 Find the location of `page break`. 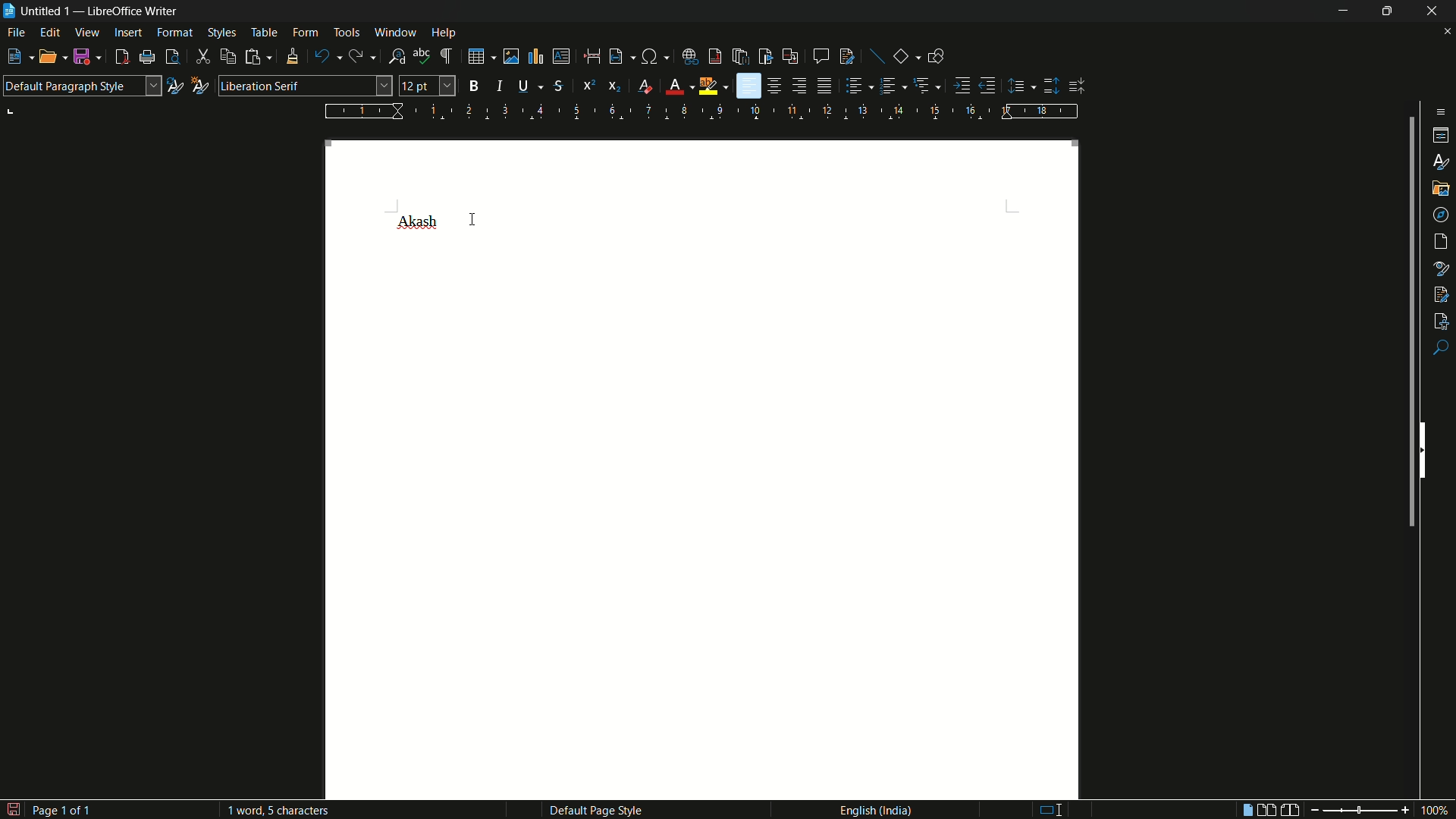

page break is located at coordinates (591, 56).